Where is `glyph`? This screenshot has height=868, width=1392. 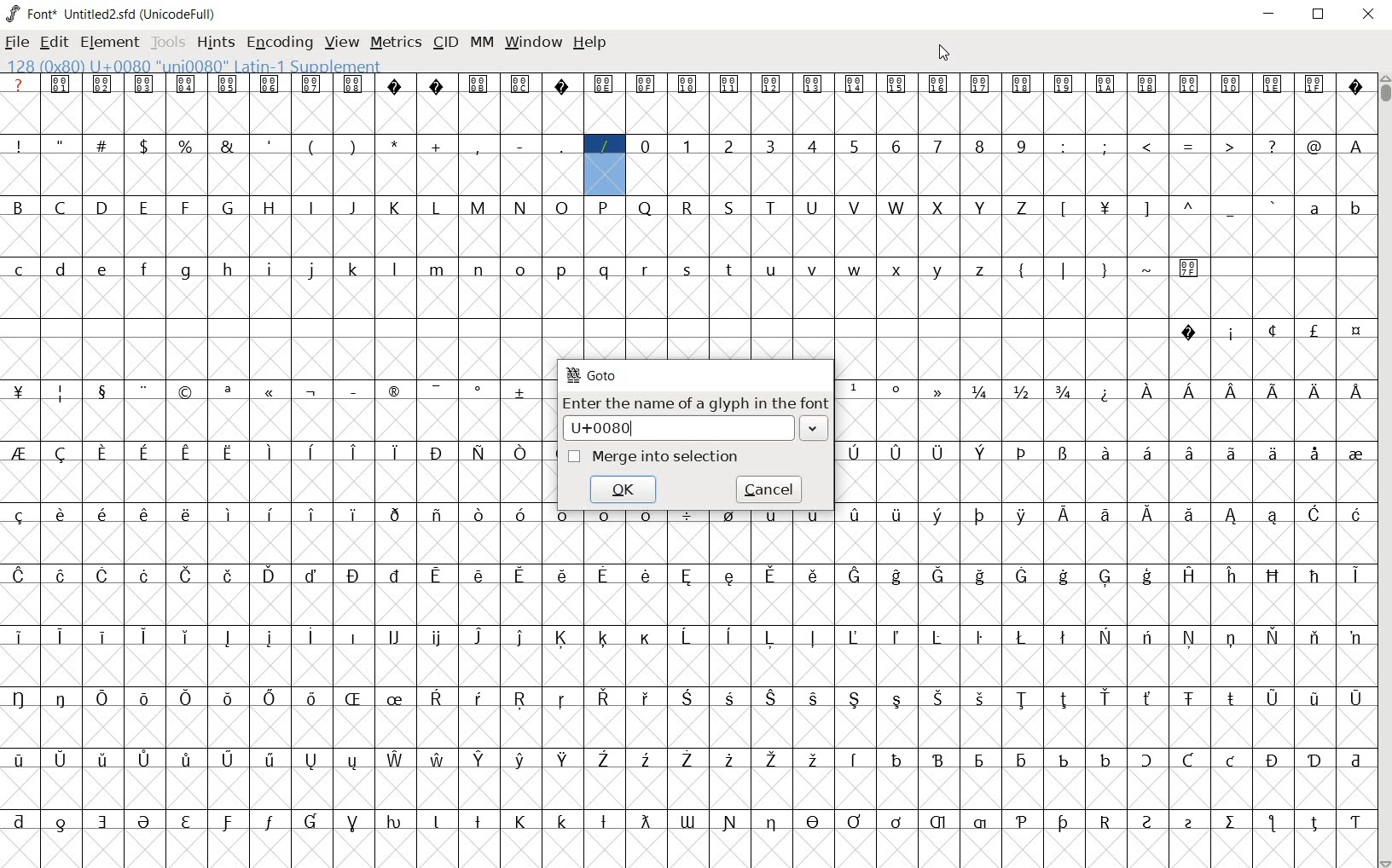
glyph is located at coordinates (896, 515).